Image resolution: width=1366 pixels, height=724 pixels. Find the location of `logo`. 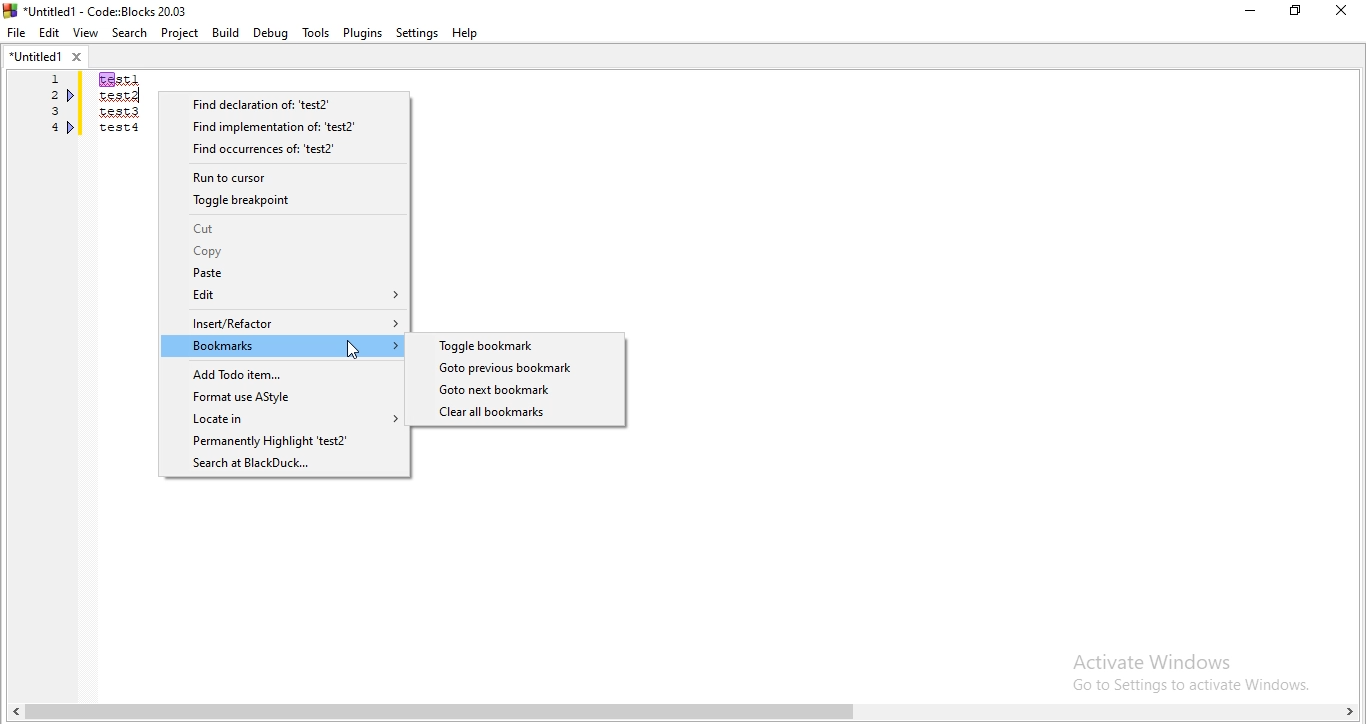

logo is located at coordinates (98, 9).